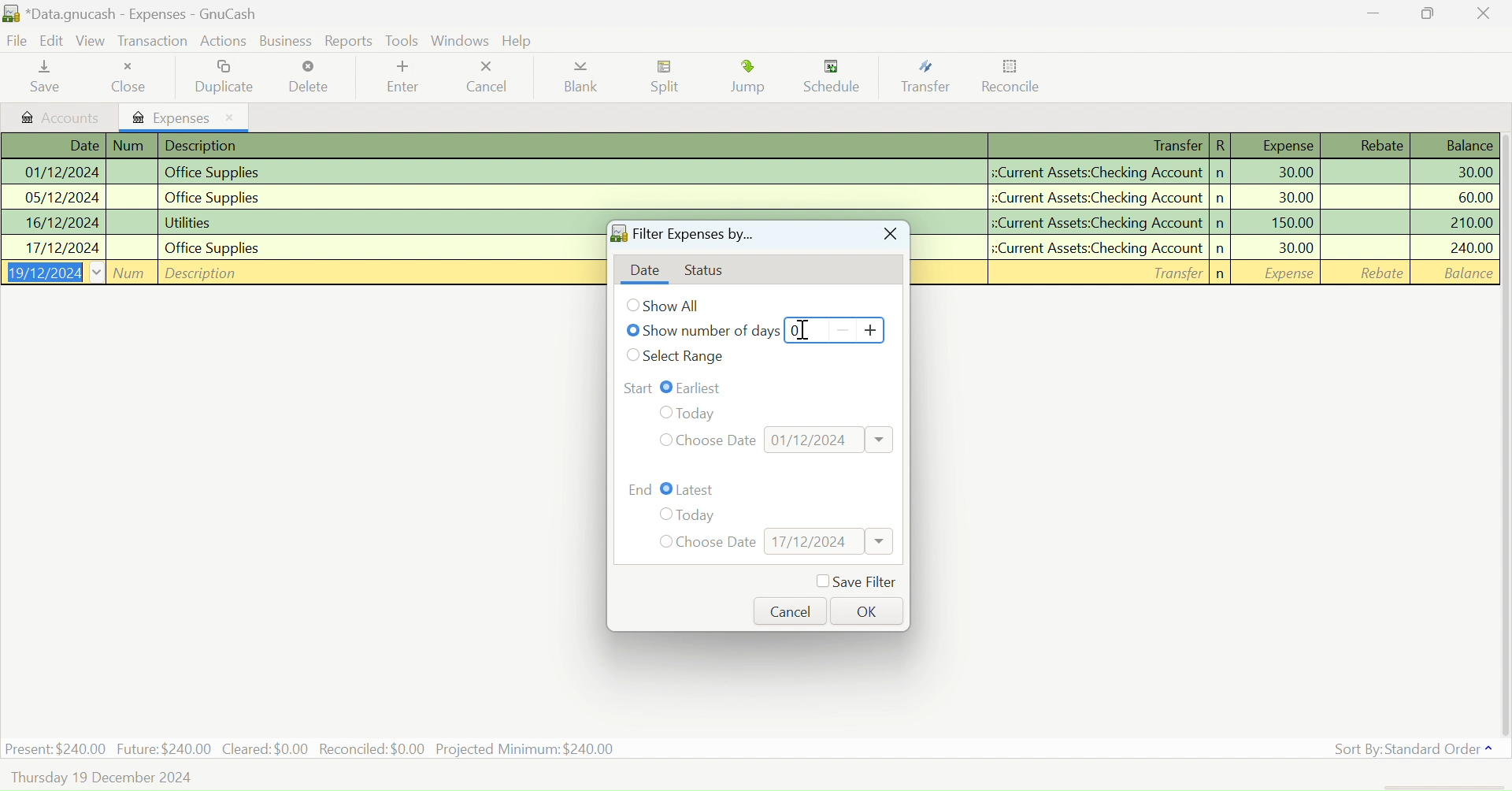 The image size is (1512, 791). Describe the element at coordinates (633, 329) in the screenshot. I see `Checkbox` at that location.